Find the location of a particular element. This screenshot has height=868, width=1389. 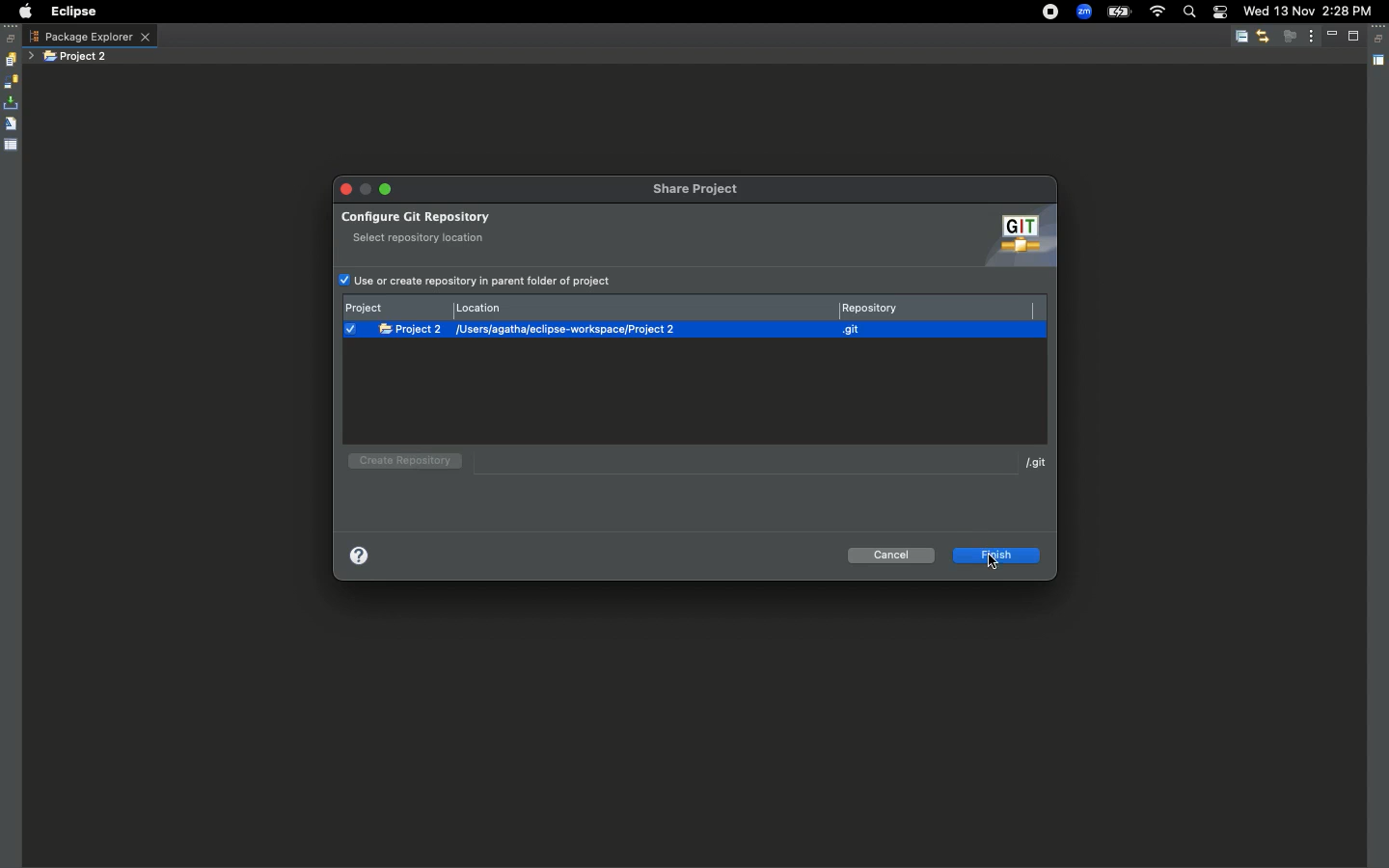

Properties is located at coordinates (12, 144).